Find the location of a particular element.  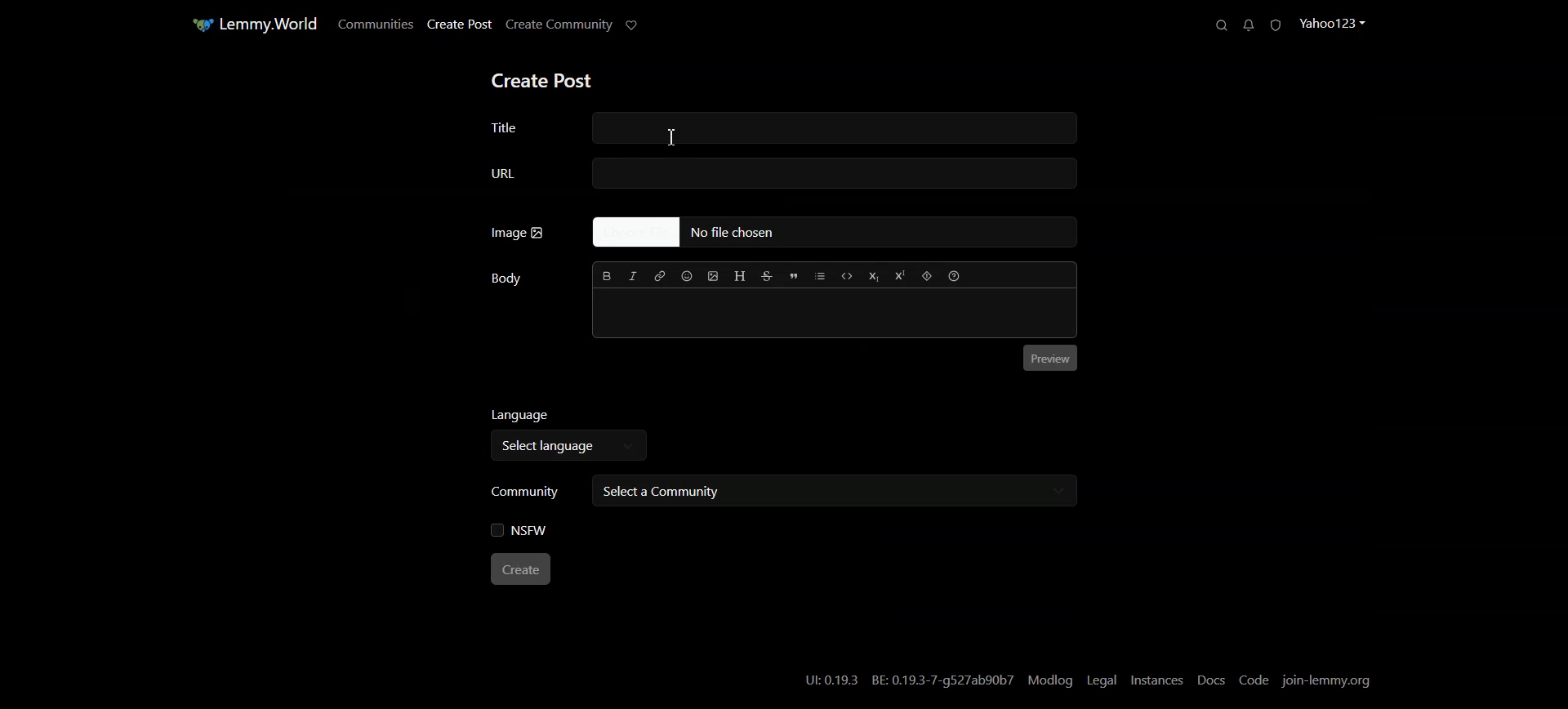

Join-lemmy.org is located at coordinates (1329, 680).